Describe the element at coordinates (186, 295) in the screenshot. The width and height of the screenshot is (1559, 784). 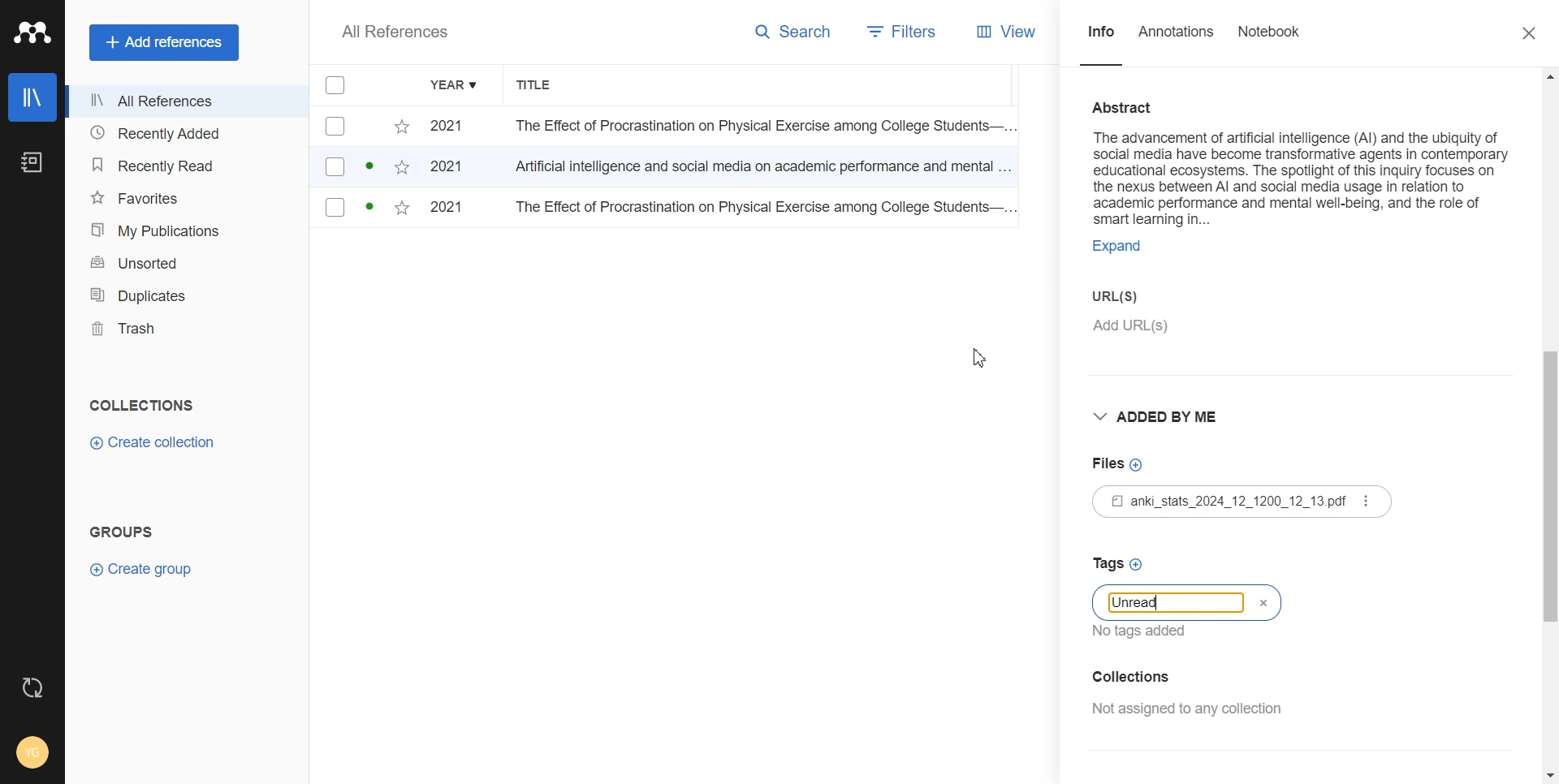
I see `Duplicates` at that location.